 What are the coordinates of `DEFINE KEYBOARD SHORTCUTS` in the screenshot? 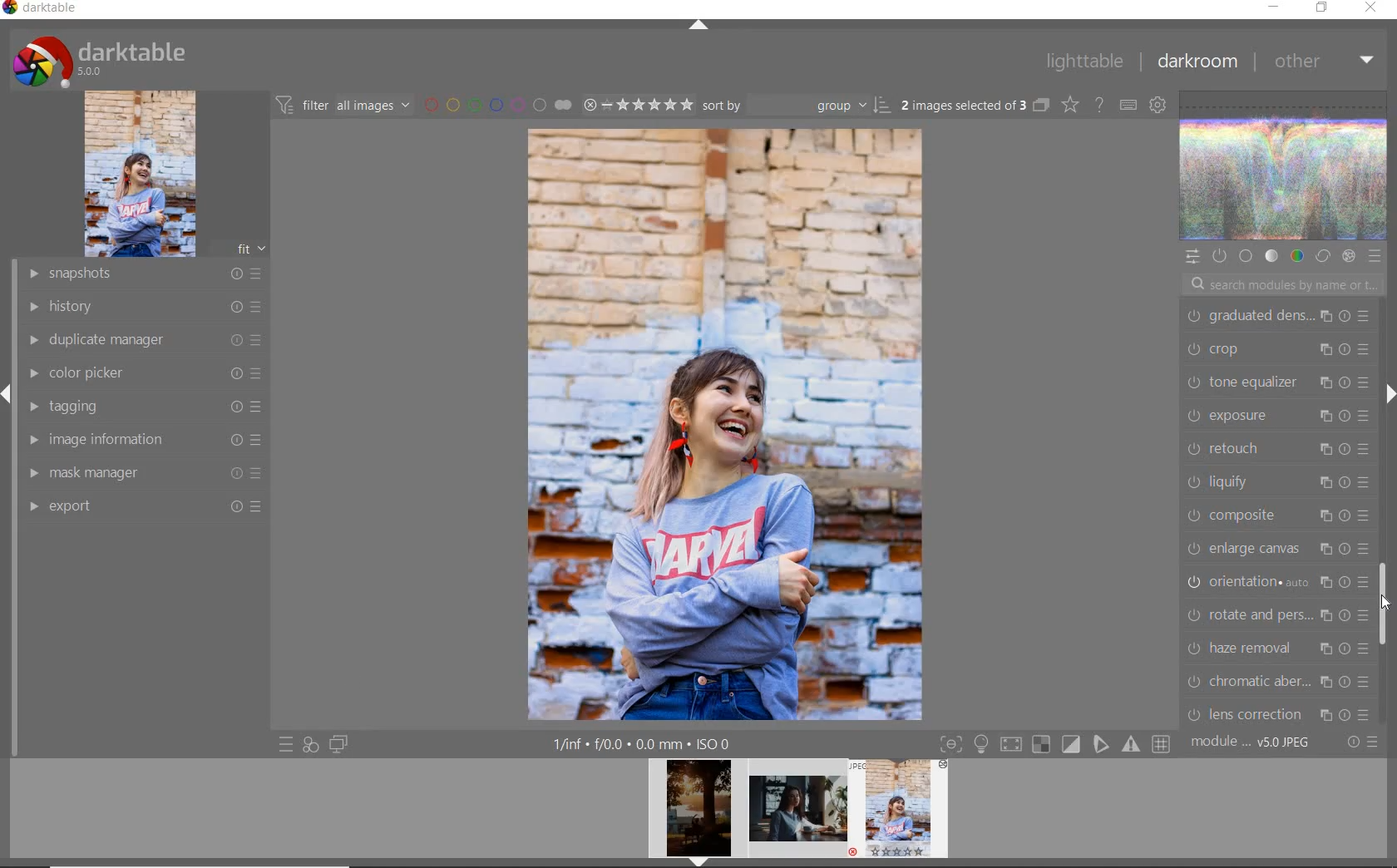 It's located at (1128, 105).